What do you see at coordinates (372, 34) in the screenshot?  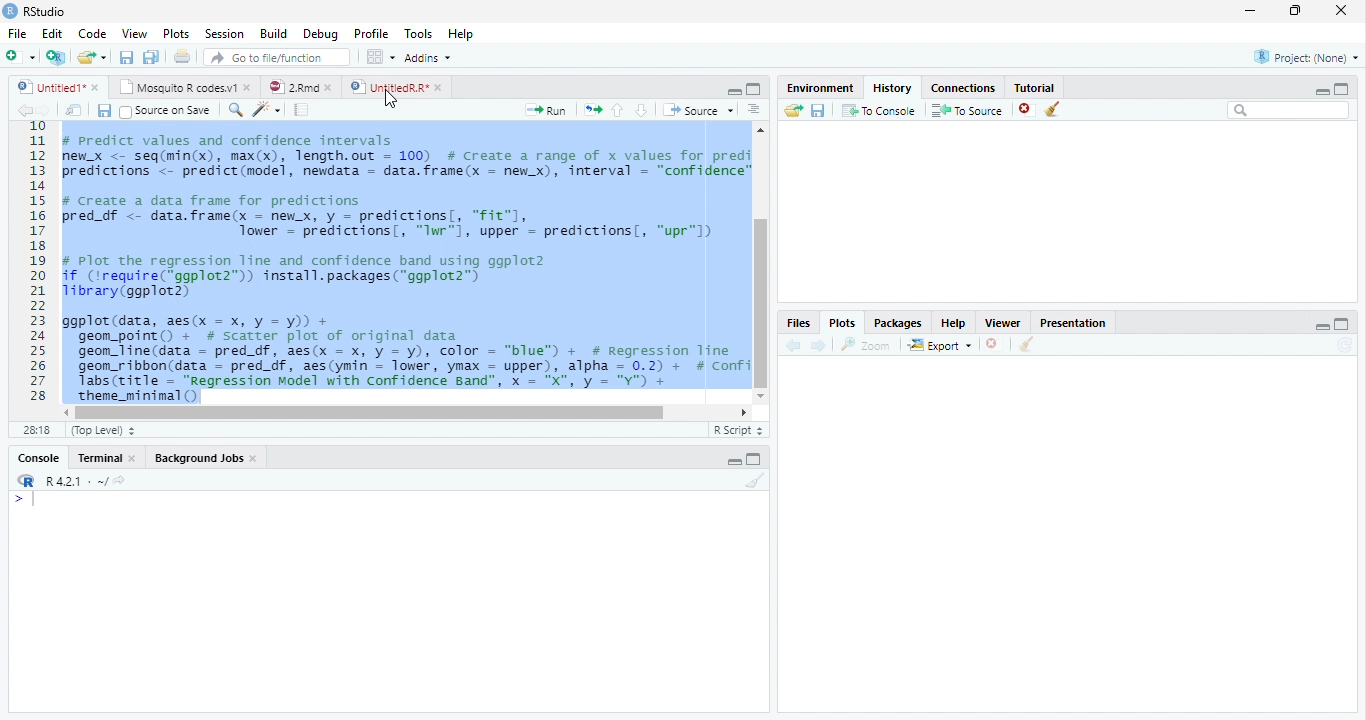 I see `Profile` at bounding box center [372, 34].